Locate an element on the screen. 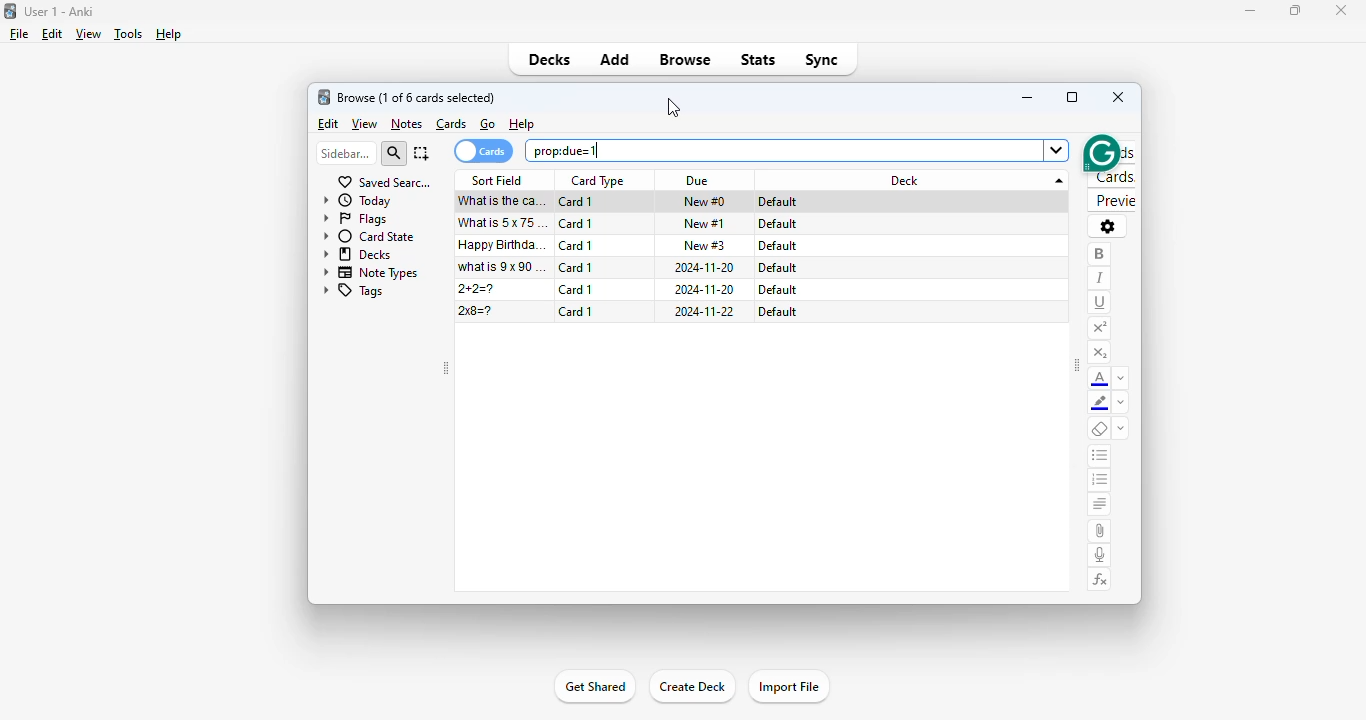 The image size is (1366, 720). notes is located at coordinates (407, 124).